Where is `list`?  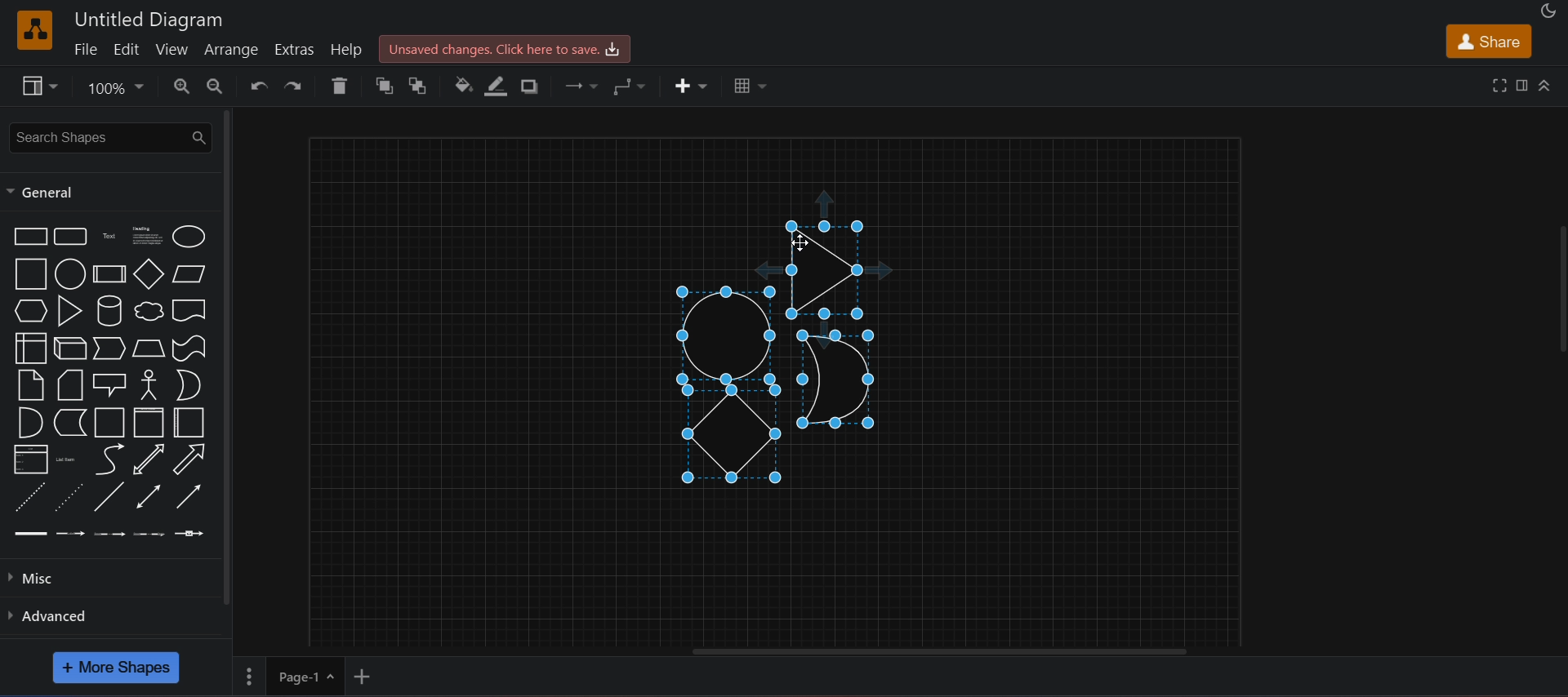
list is located at coordinates (29, 458).